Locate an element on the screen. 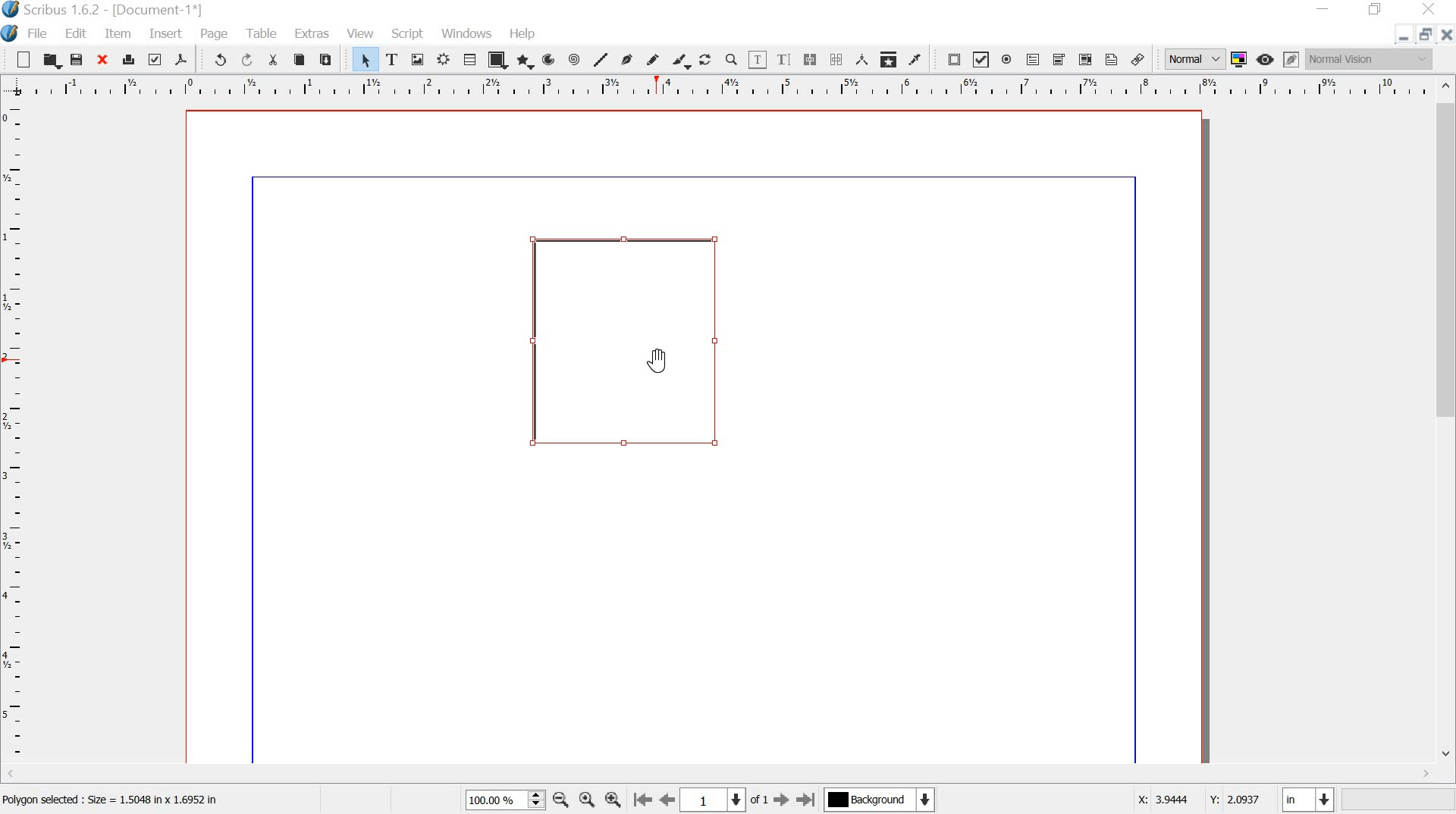 This screenshot has height=814, width=1456. pdf combo box is located at coordinates (1060, 61).